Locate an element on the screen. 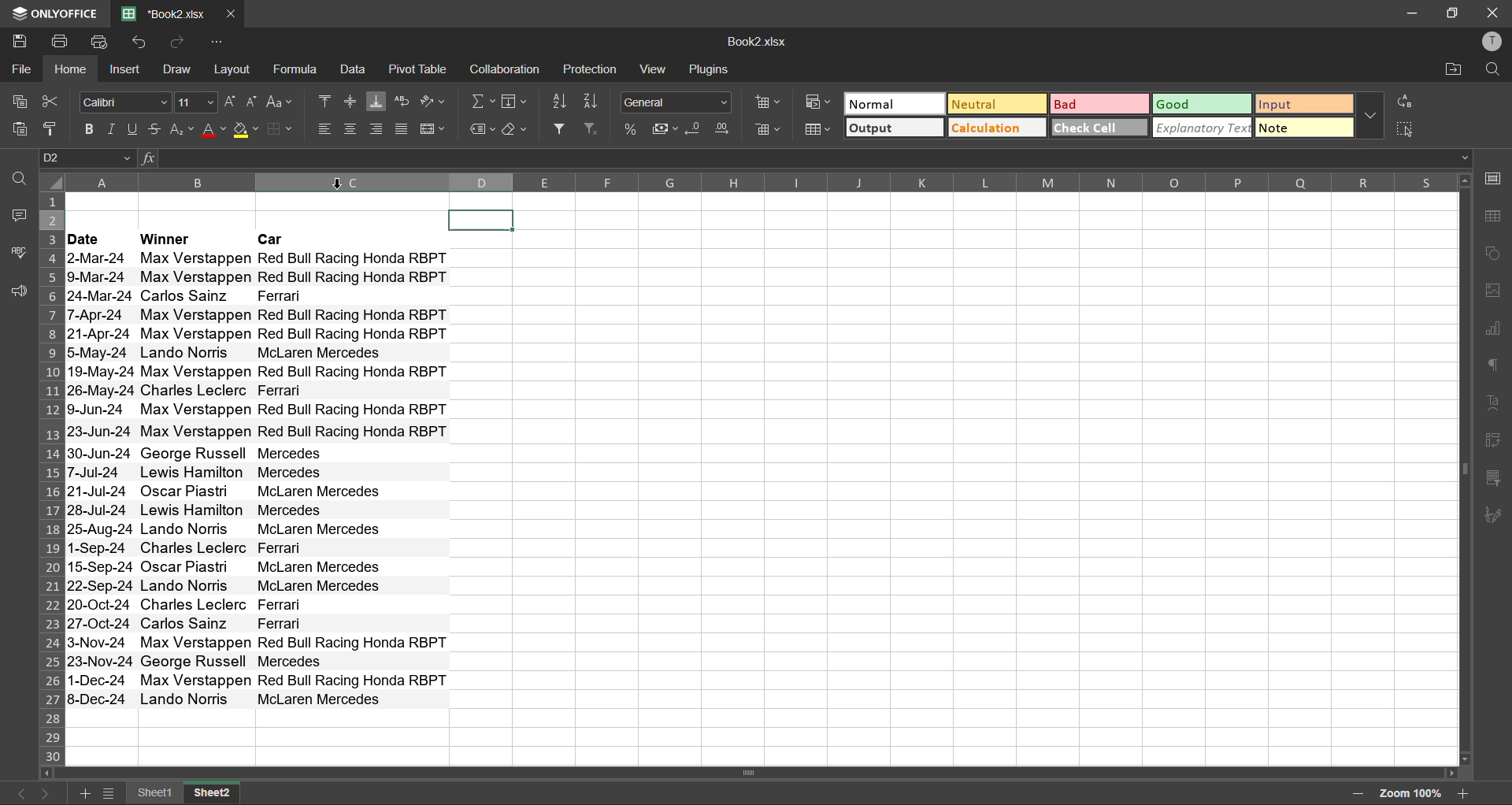 The width and height of the screenshot is (1512, 805). data is located at coordinates (358, 72).